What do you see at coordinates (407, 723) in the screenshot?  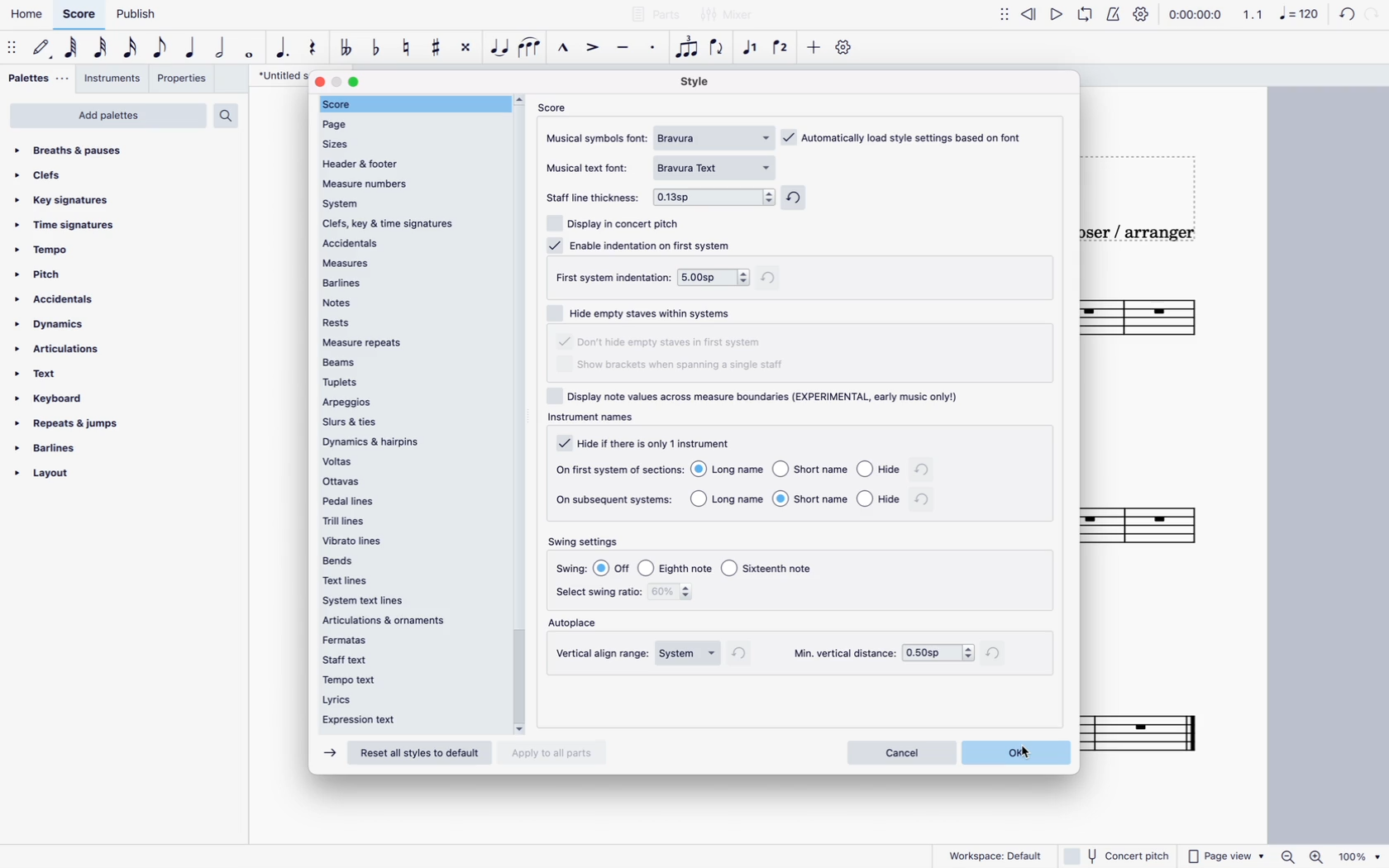 I see `expression text` at bounding box center [407, 723].